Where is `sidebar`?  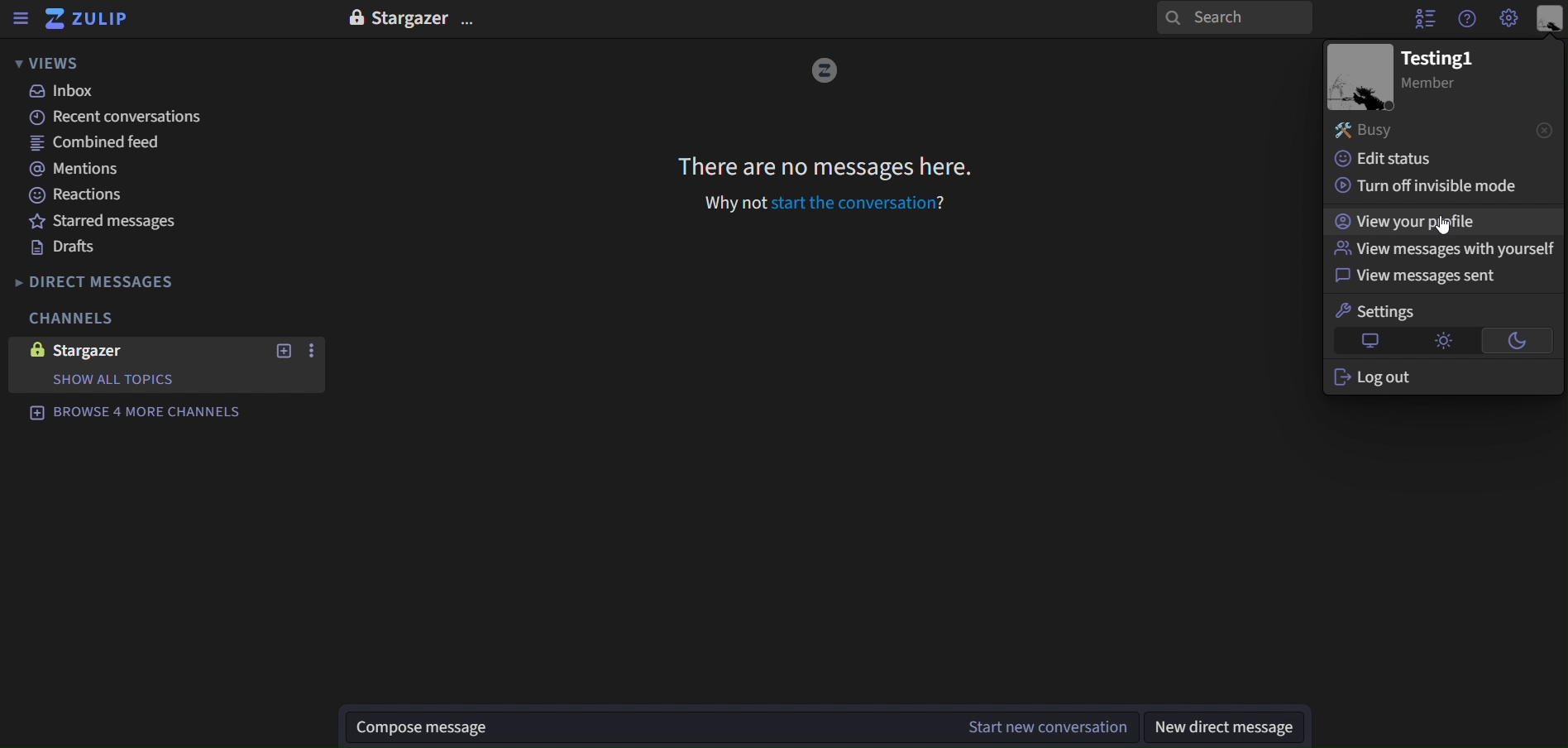 sidebar is located at coordinates (22, 19).